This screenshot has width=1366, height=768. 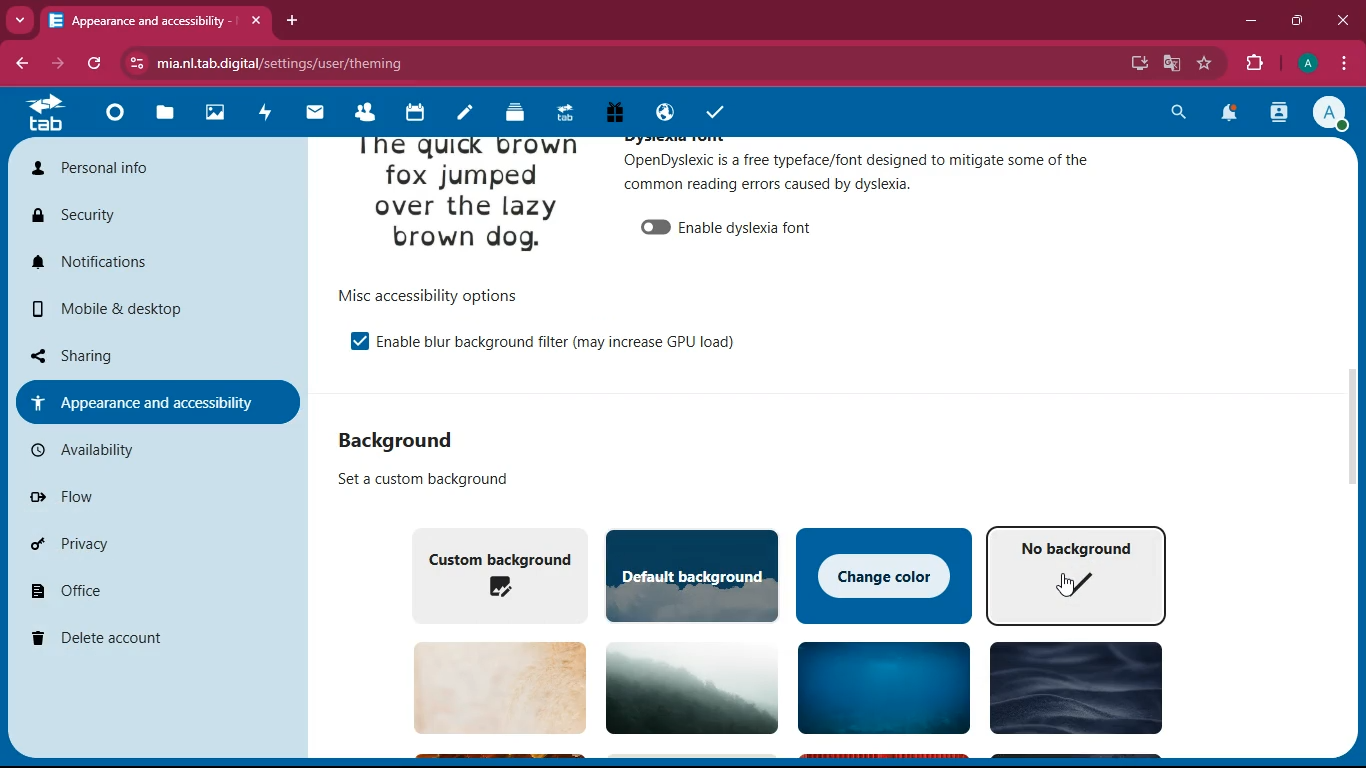 I want to click on mobile, so click(x=155, y=314).